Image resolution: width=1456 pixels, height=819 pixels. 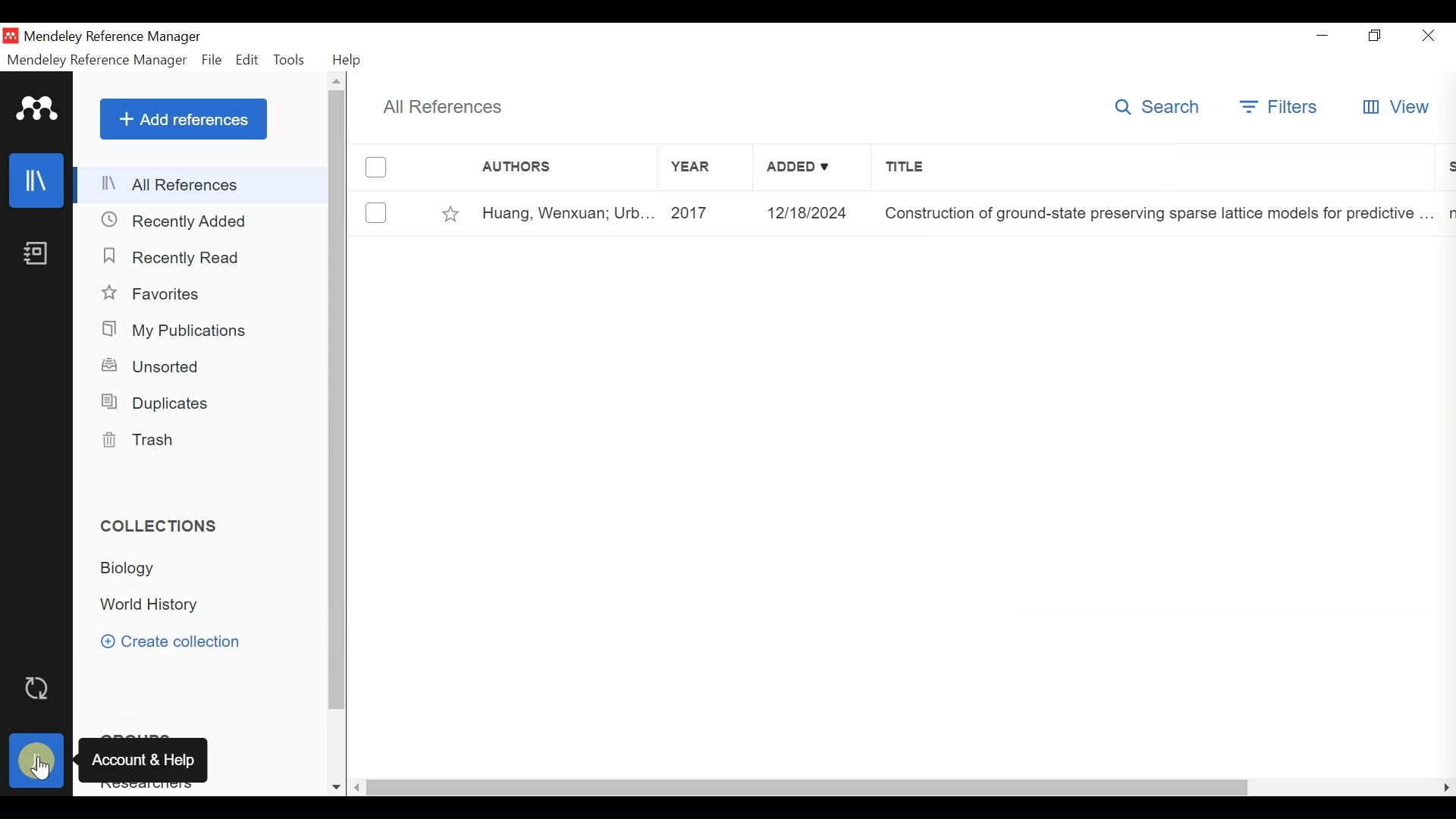 I want to click on Scroll down, so click(x=337, y=787).